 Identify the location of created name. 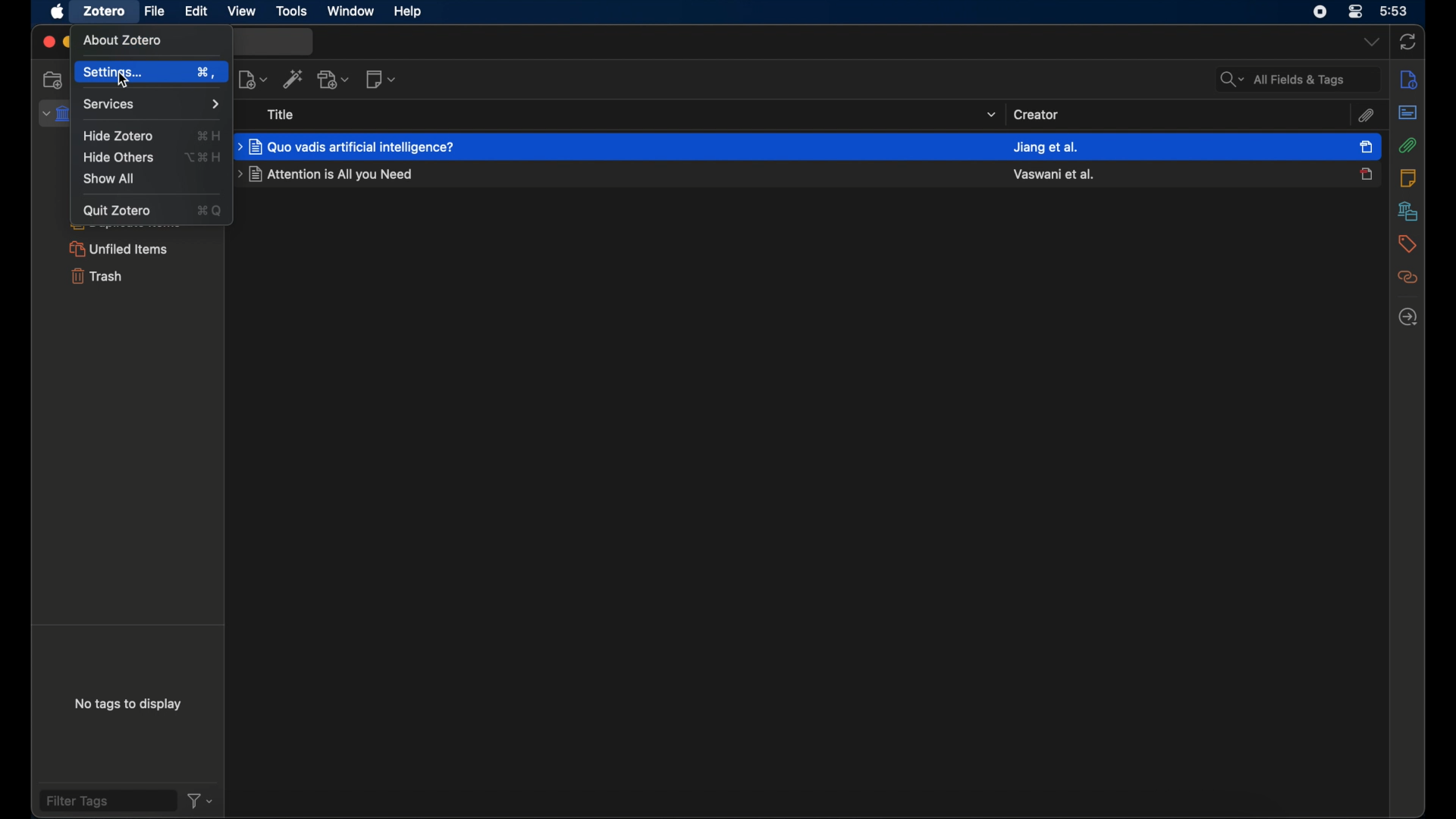
(1046, 146).